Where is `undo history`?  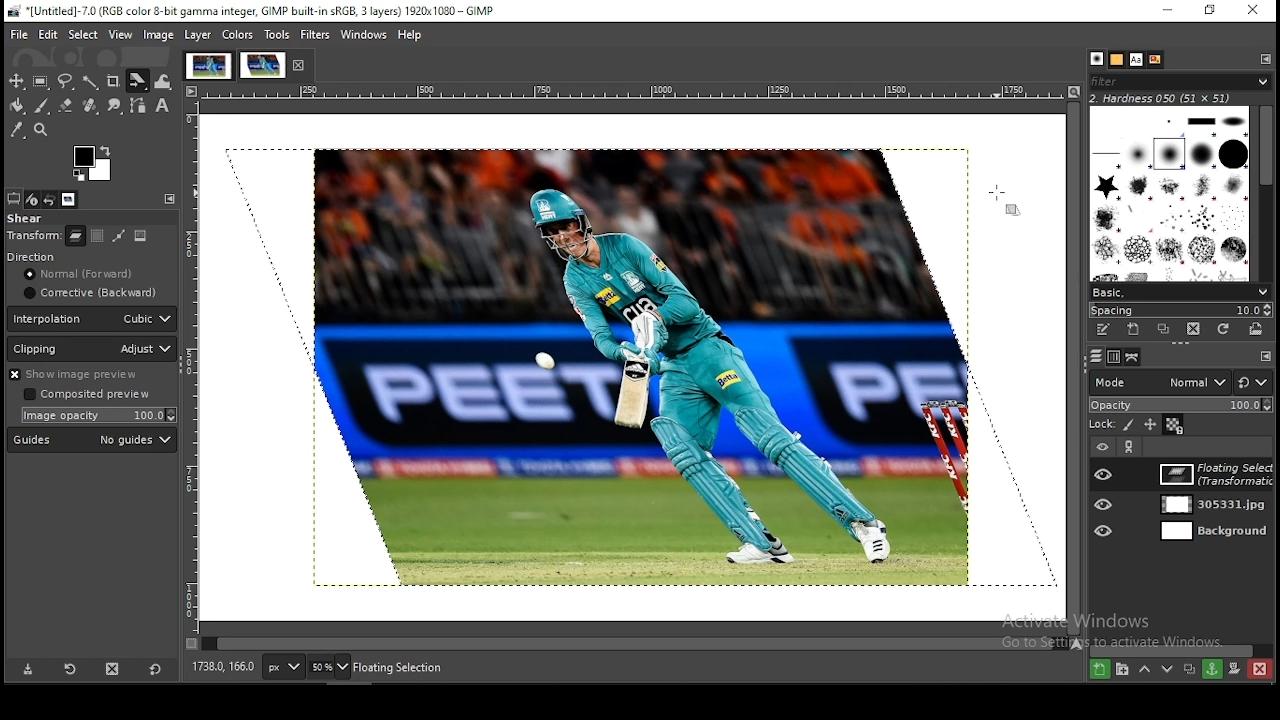 undo history is located at coordinates (52, 199).